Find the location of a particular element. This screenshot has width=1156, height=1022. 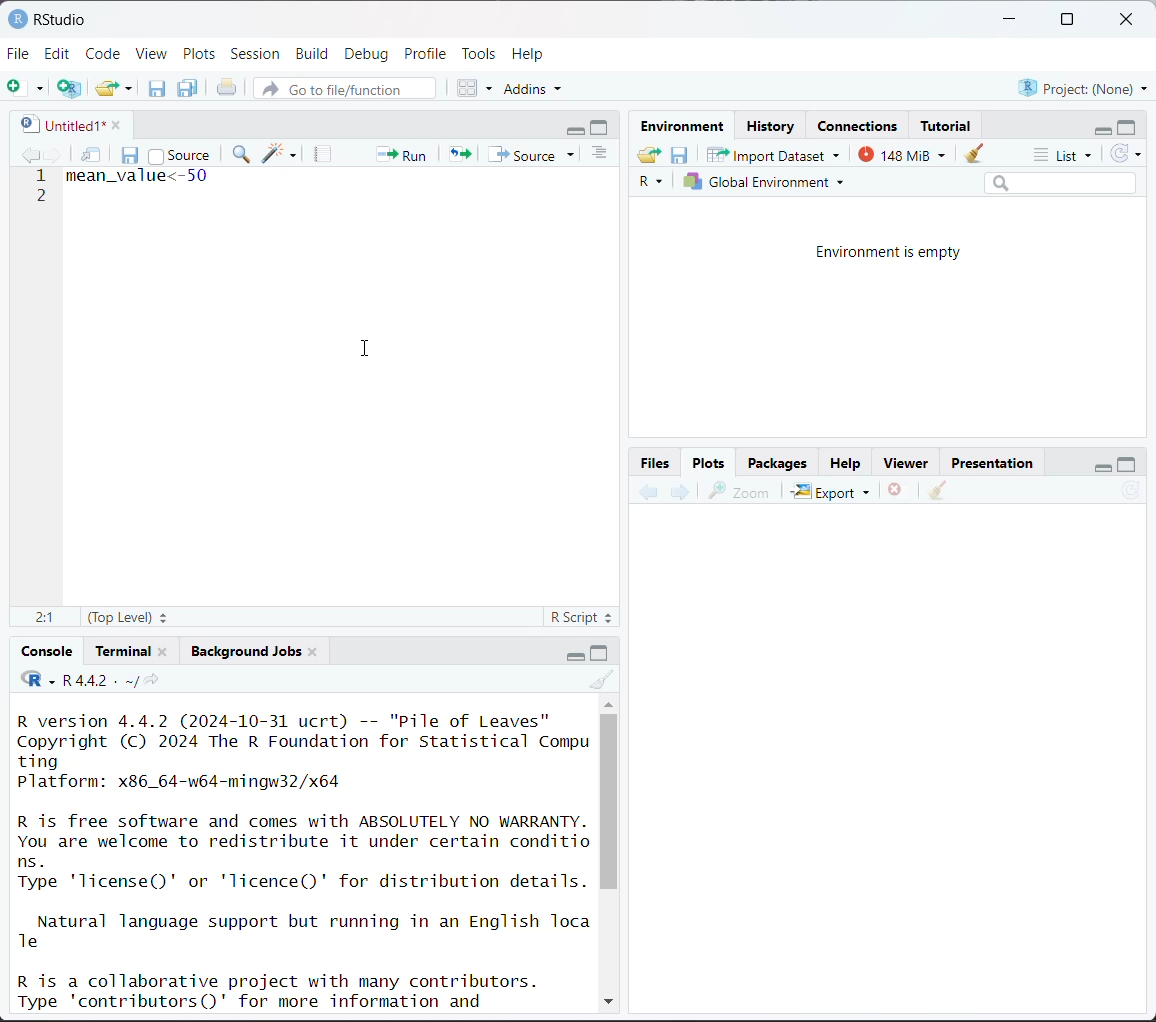

list is located at coordinates (1066, 156).